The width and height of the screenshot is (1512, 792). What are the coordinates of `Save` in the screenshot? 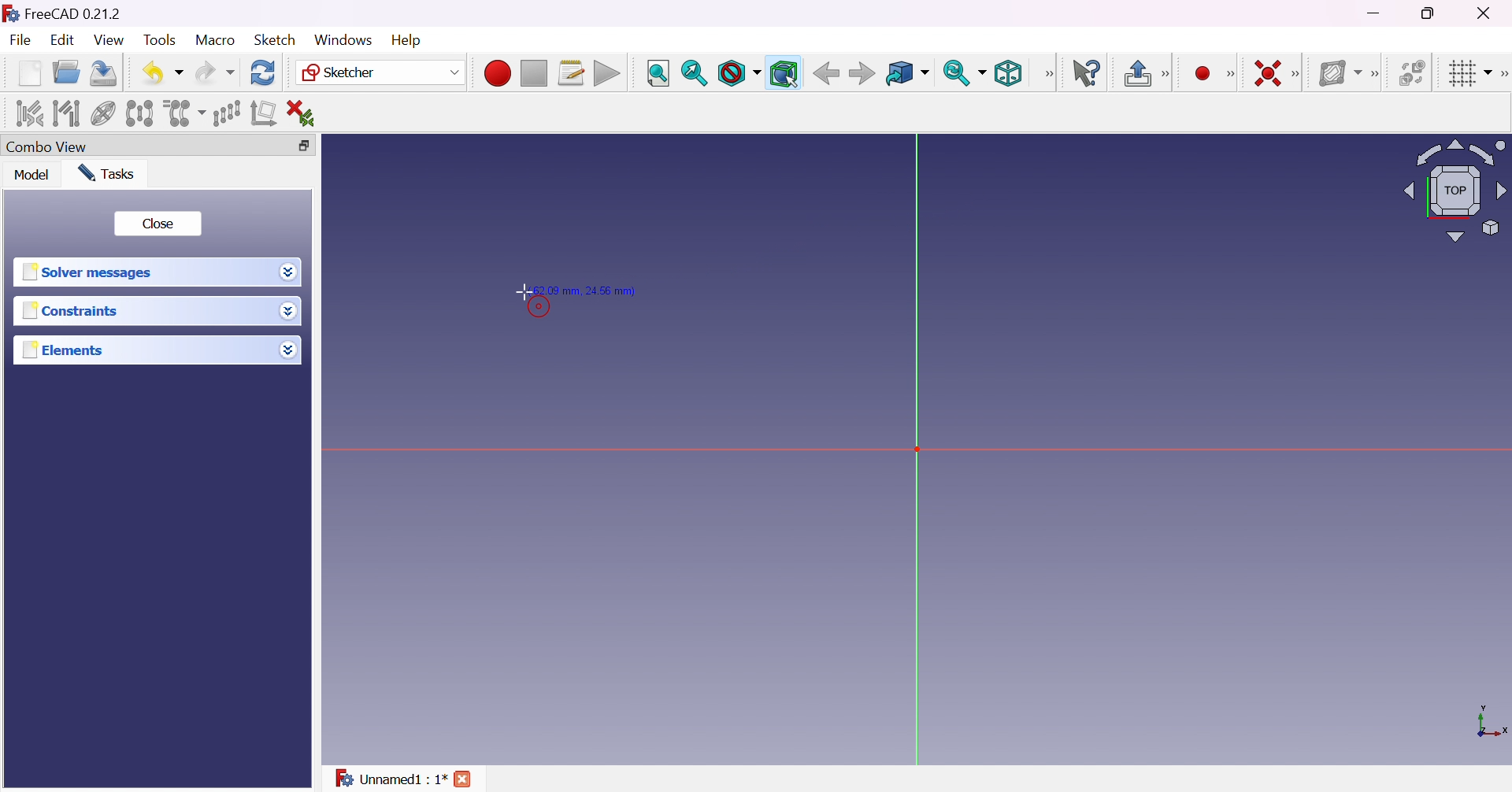 It's located at (101, 72).